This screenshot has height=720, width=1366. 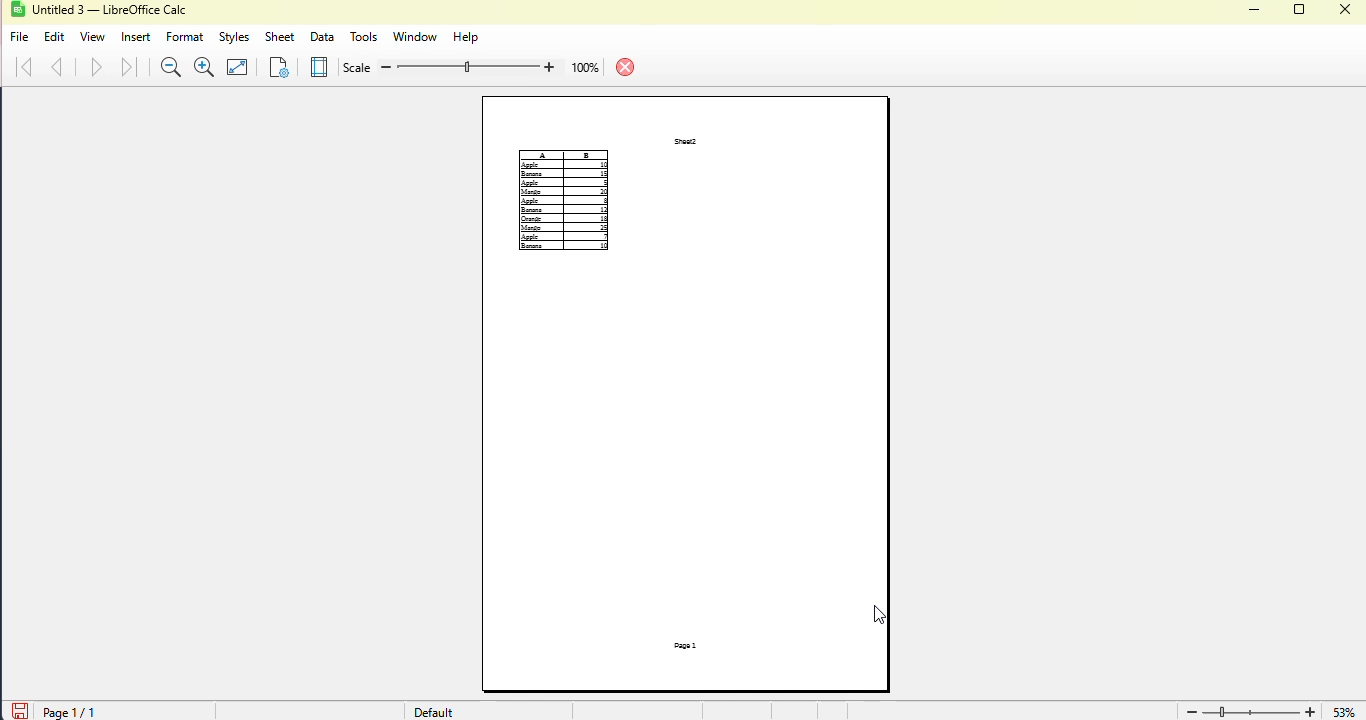 What do you see at coordinates (237, 67) in the screenshot?
I see `full screen` at bounding box center [237, 67].